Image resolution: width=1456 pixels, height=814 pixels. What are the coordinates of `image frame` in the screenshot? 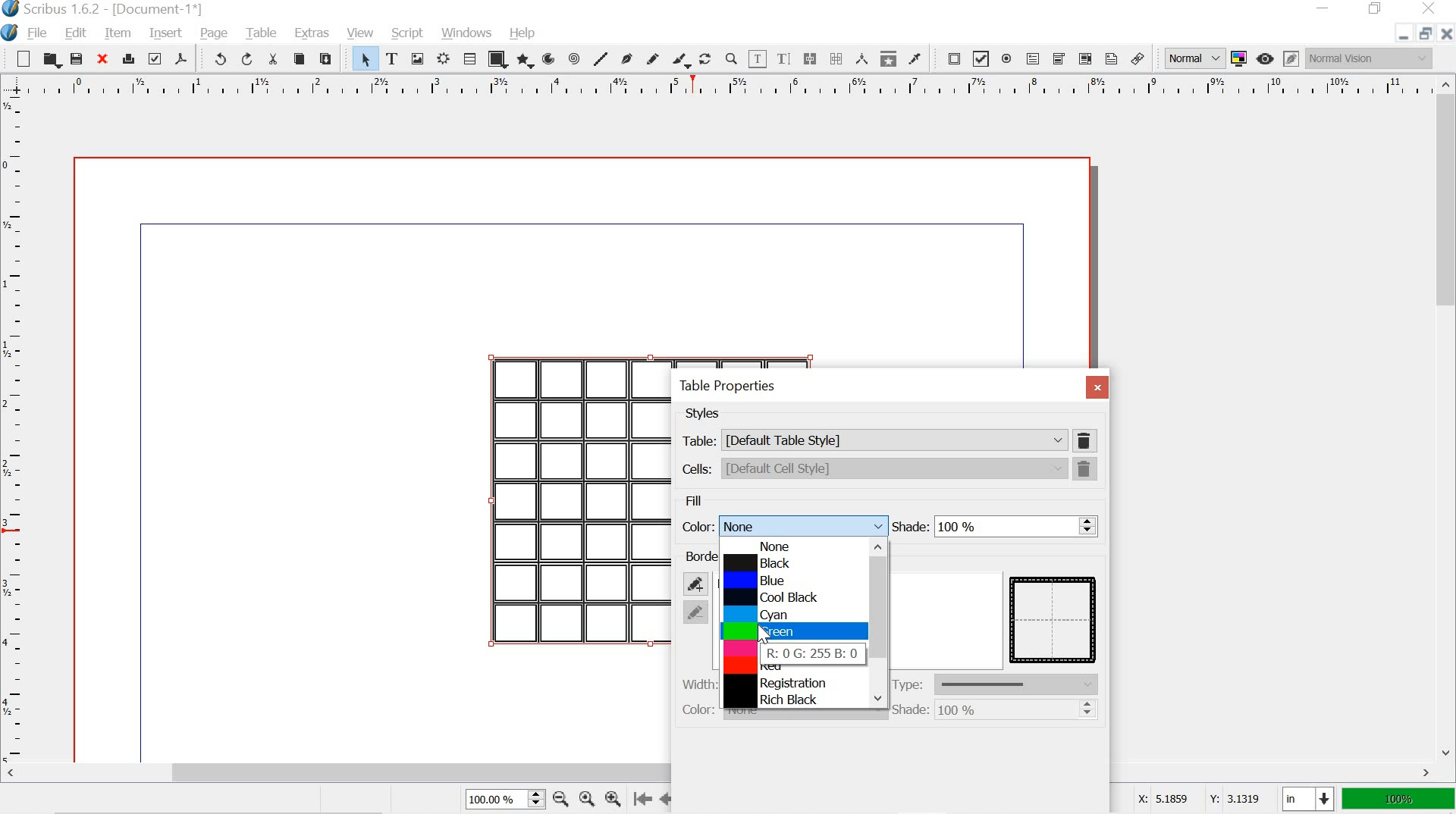 It's located at (417, 58).